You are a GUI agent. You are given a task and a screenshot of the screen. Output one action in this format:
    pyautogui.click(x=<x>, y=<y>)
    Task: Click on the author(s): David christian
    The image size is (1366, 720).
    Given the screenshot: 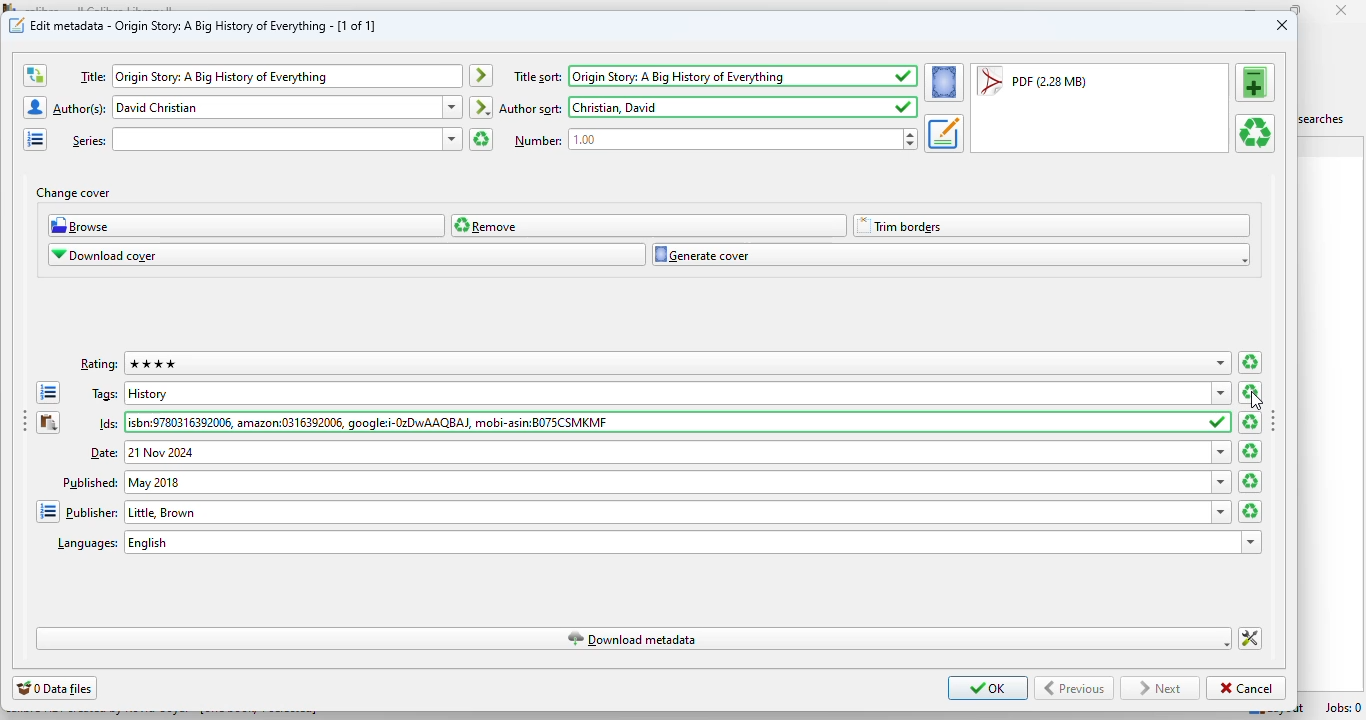 What is the action you would take?
    pyautogui.click(x=276, y=107)
    